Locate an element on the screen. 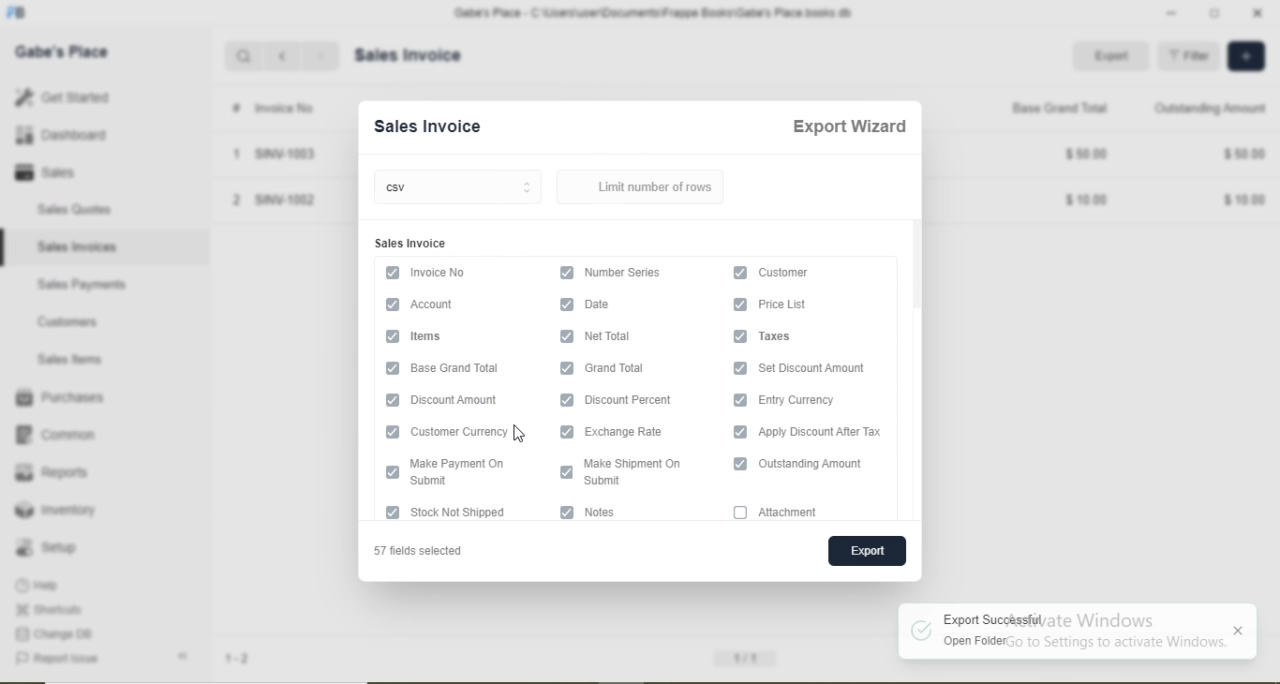  checkbox is located at coordinates (567, 368).